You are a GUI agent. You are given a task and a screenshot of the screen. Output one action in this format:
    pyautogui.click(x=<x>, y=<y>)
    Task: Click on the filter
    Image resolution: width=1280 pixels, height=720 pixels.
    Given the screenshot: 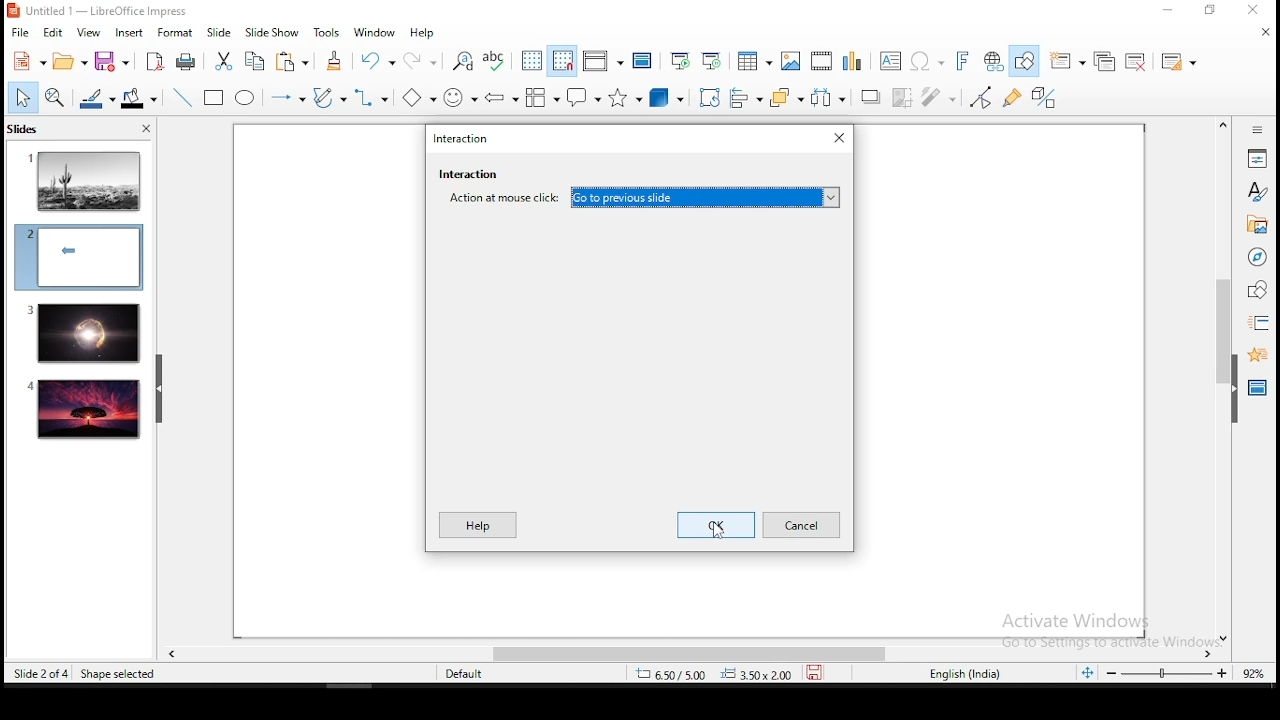 What is the action you would take?
    pyautogui.click(x=939, y=99)
    